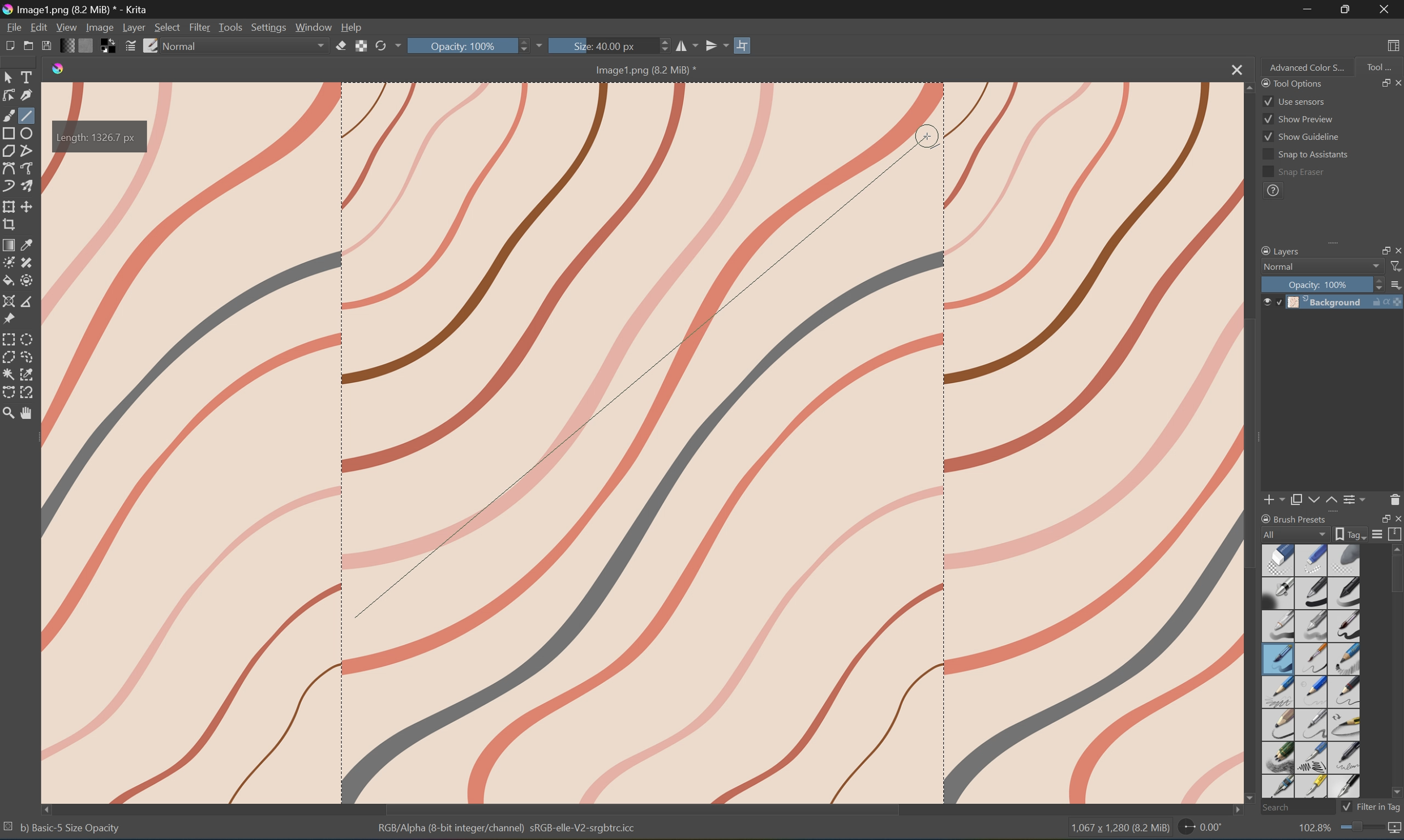  Describe the element at coordinates (716, 44) in the screenshot. I see `Vertical Mirror tool` at that location.